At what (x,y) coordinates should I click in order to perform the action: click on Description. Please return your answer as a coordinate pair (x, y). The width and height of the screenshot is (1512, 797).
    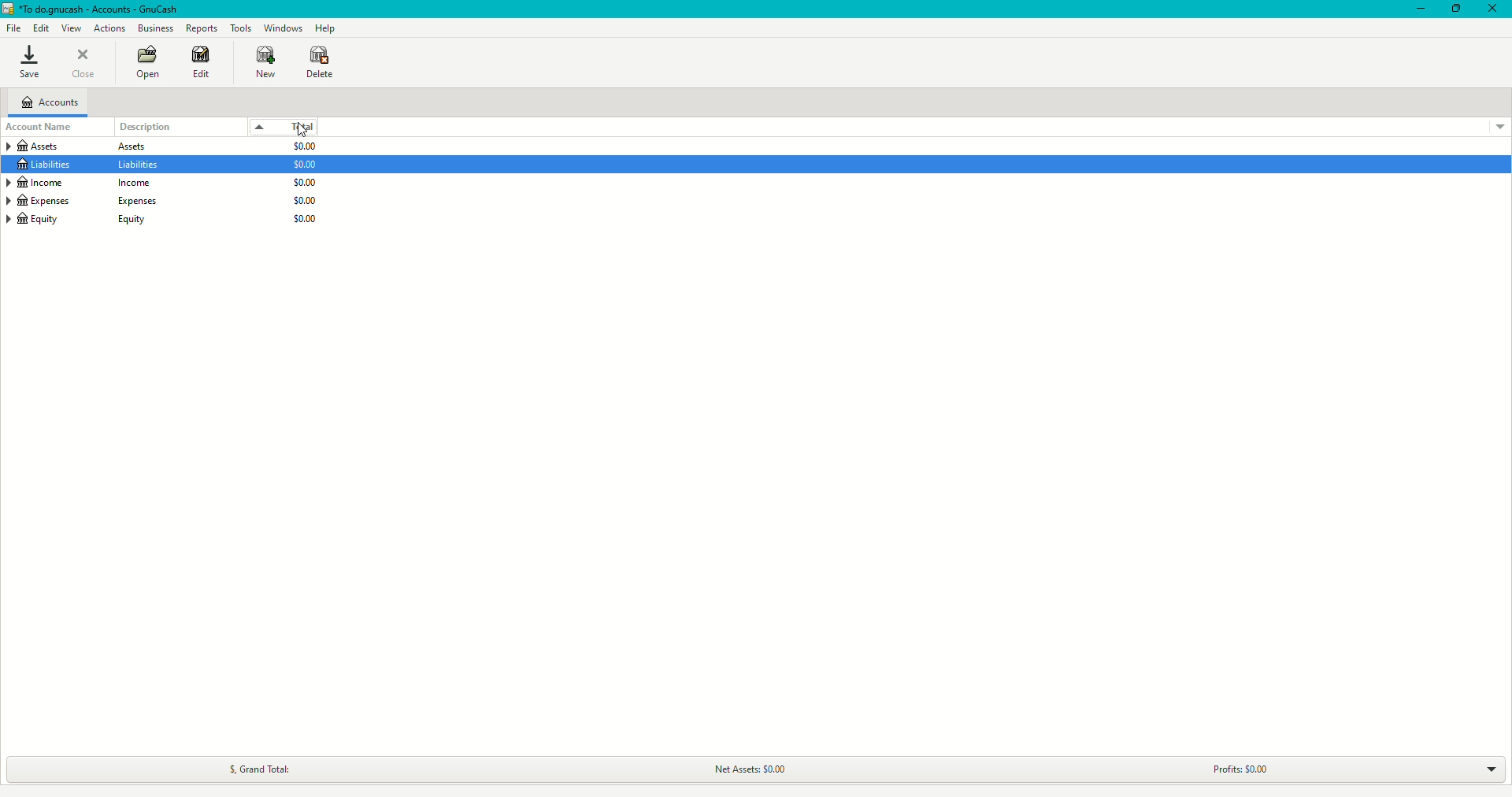
    Looking at the image, I should click on (145, 128).